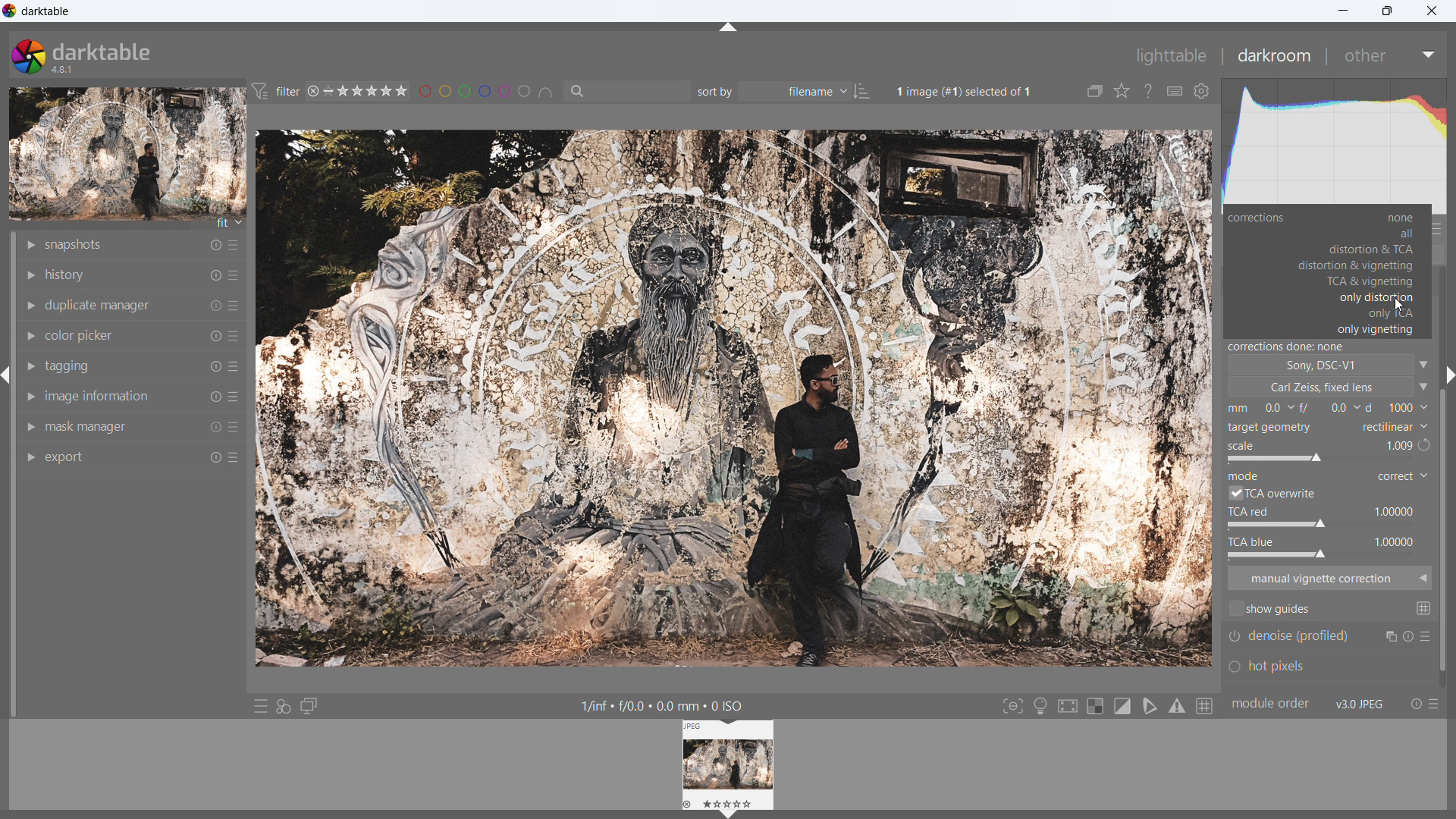 This screenshot has width=1456, height=819. I want to click on toggle guidelines, so click(1205, 706).